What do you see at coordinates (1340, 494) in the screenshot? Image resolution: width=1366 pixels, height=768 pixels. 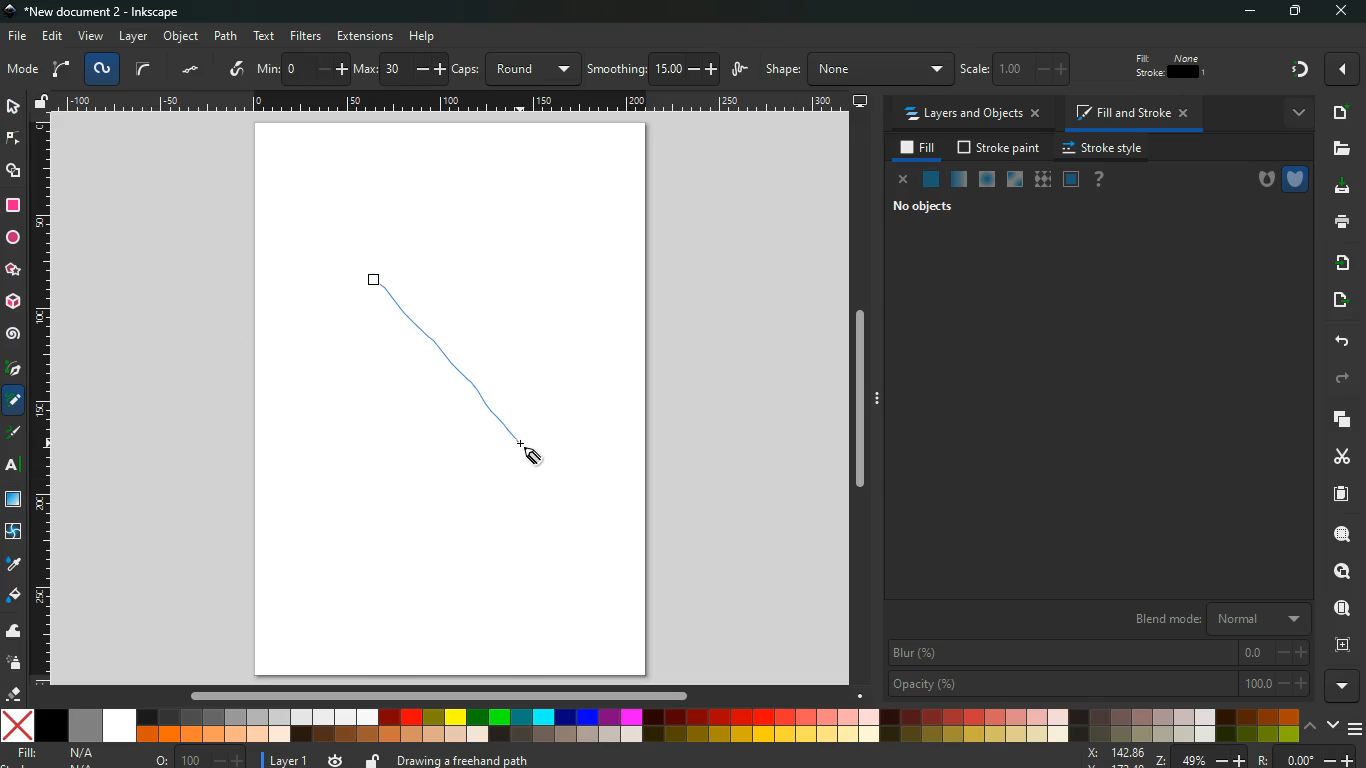 I see `paper` at bounding box center [1340, 494].